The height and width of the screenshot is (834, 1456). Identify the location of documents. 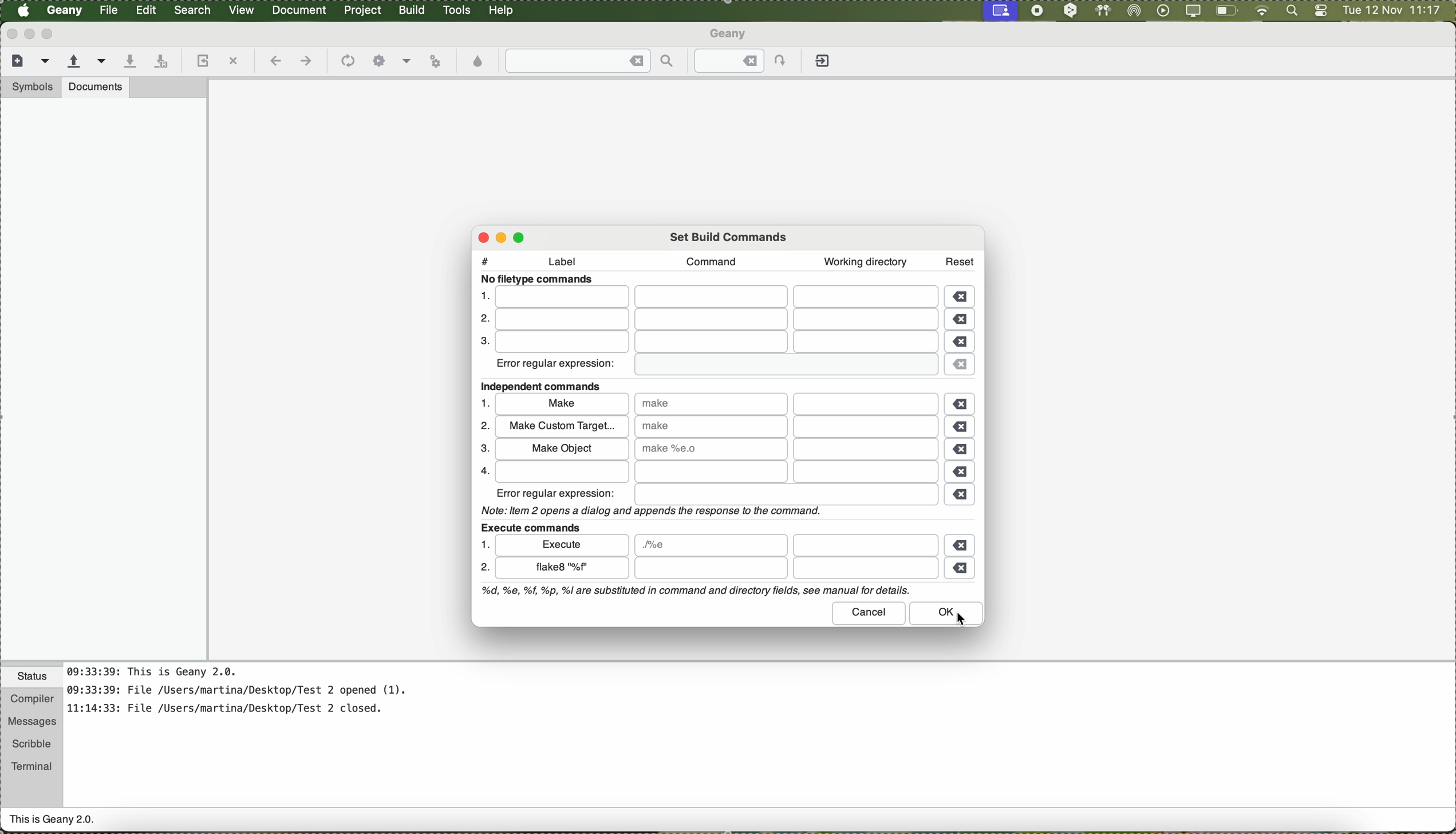
(96, 86).